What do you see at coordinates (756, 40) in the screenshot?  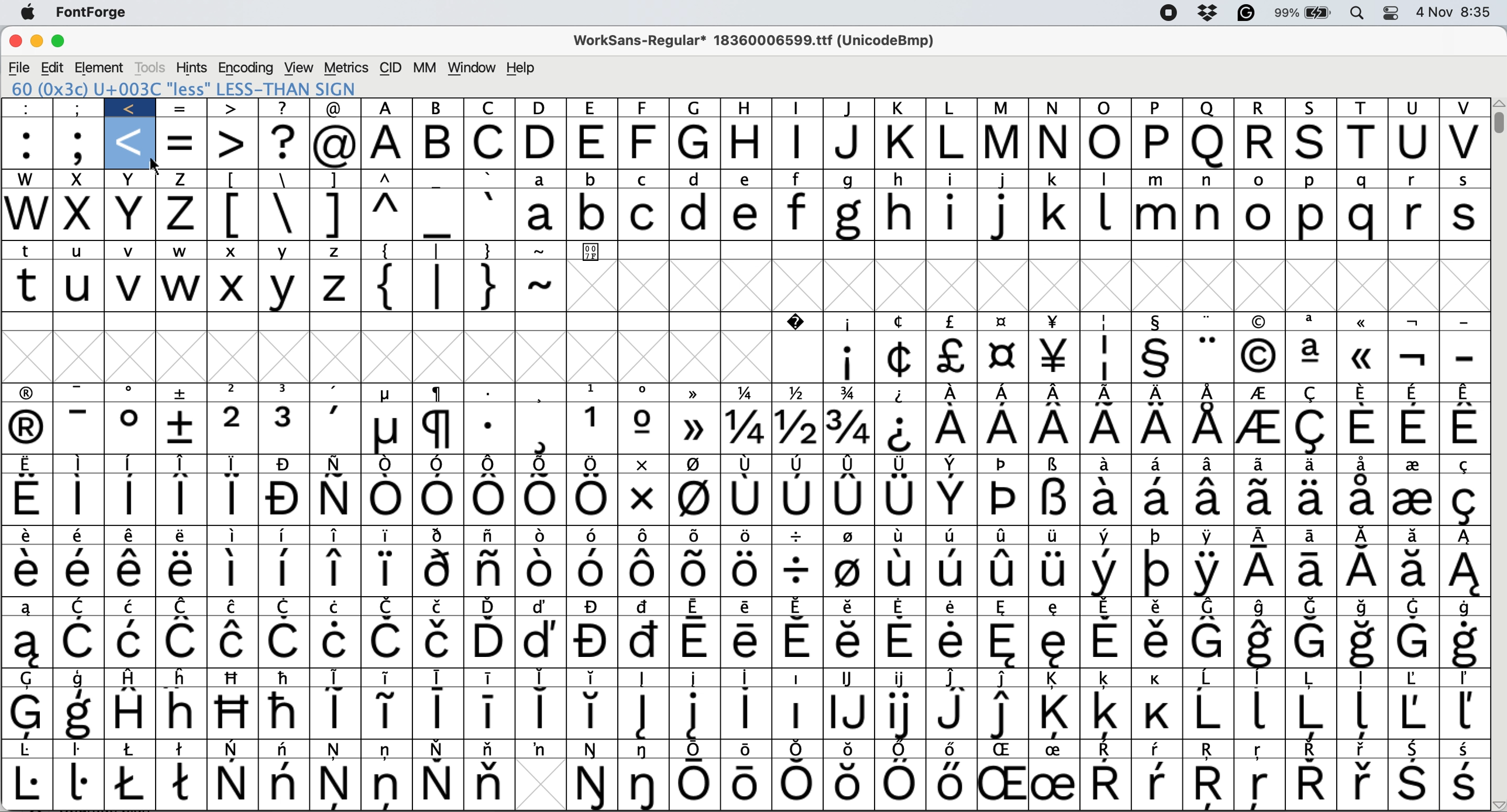 I see `WorkSans-Regular* 18360006599.ttf (UnicodeBmp)` at bounding box center [756, 40].